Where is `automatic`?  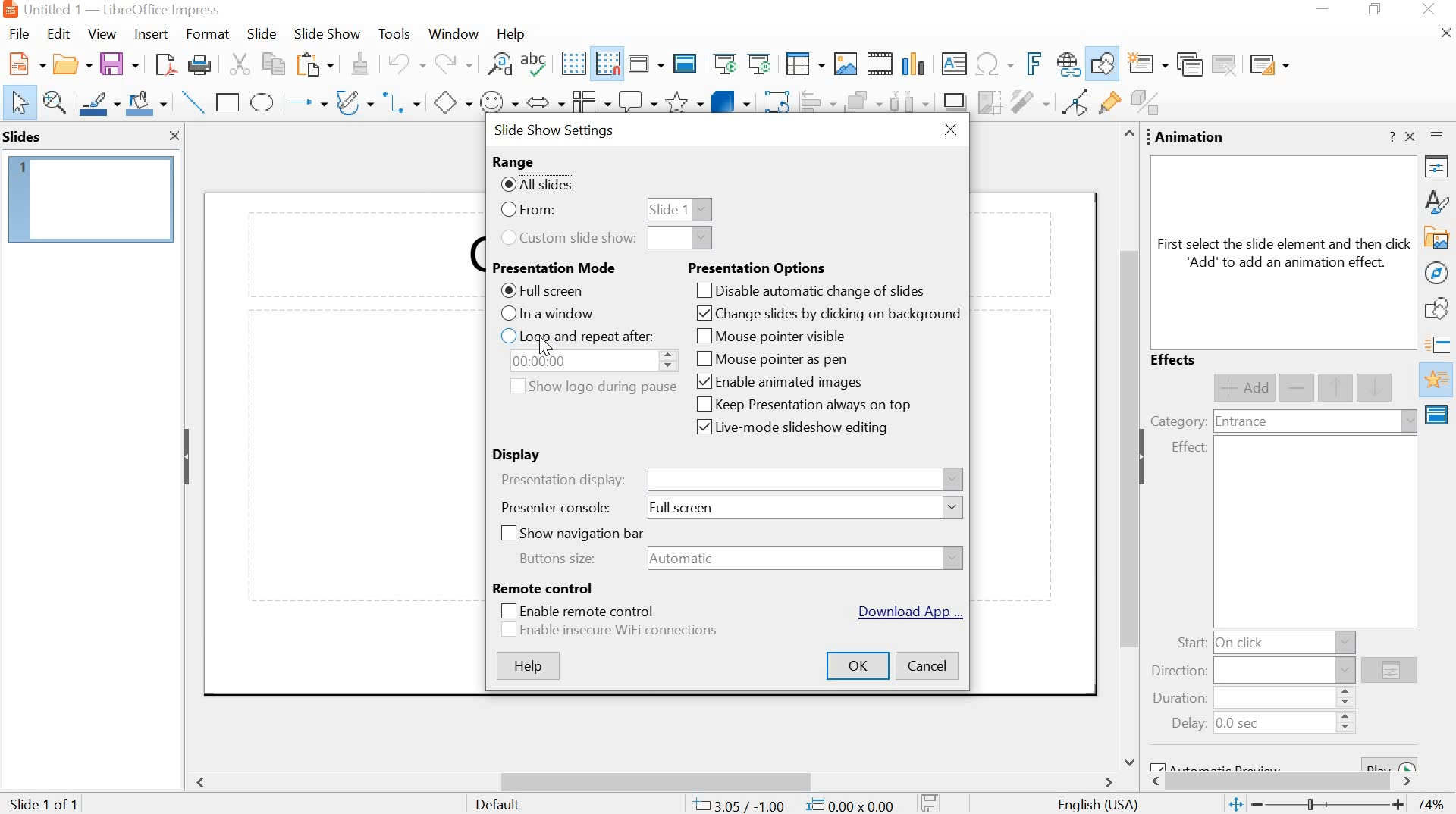 automatic is located at coordinates (688, 559).